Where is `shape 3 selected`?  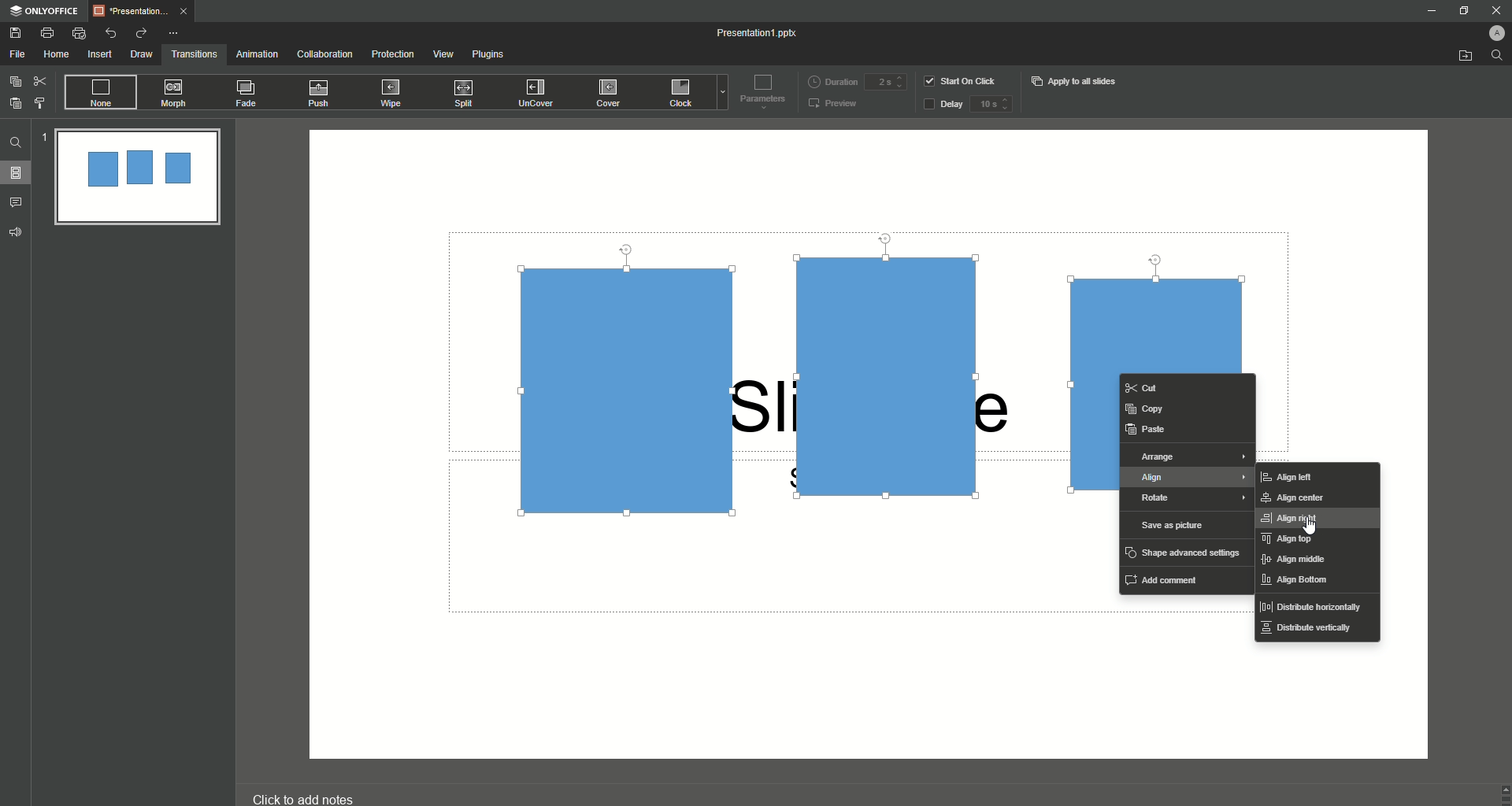 shape 3 selected is located at coordinates (1153, 305).